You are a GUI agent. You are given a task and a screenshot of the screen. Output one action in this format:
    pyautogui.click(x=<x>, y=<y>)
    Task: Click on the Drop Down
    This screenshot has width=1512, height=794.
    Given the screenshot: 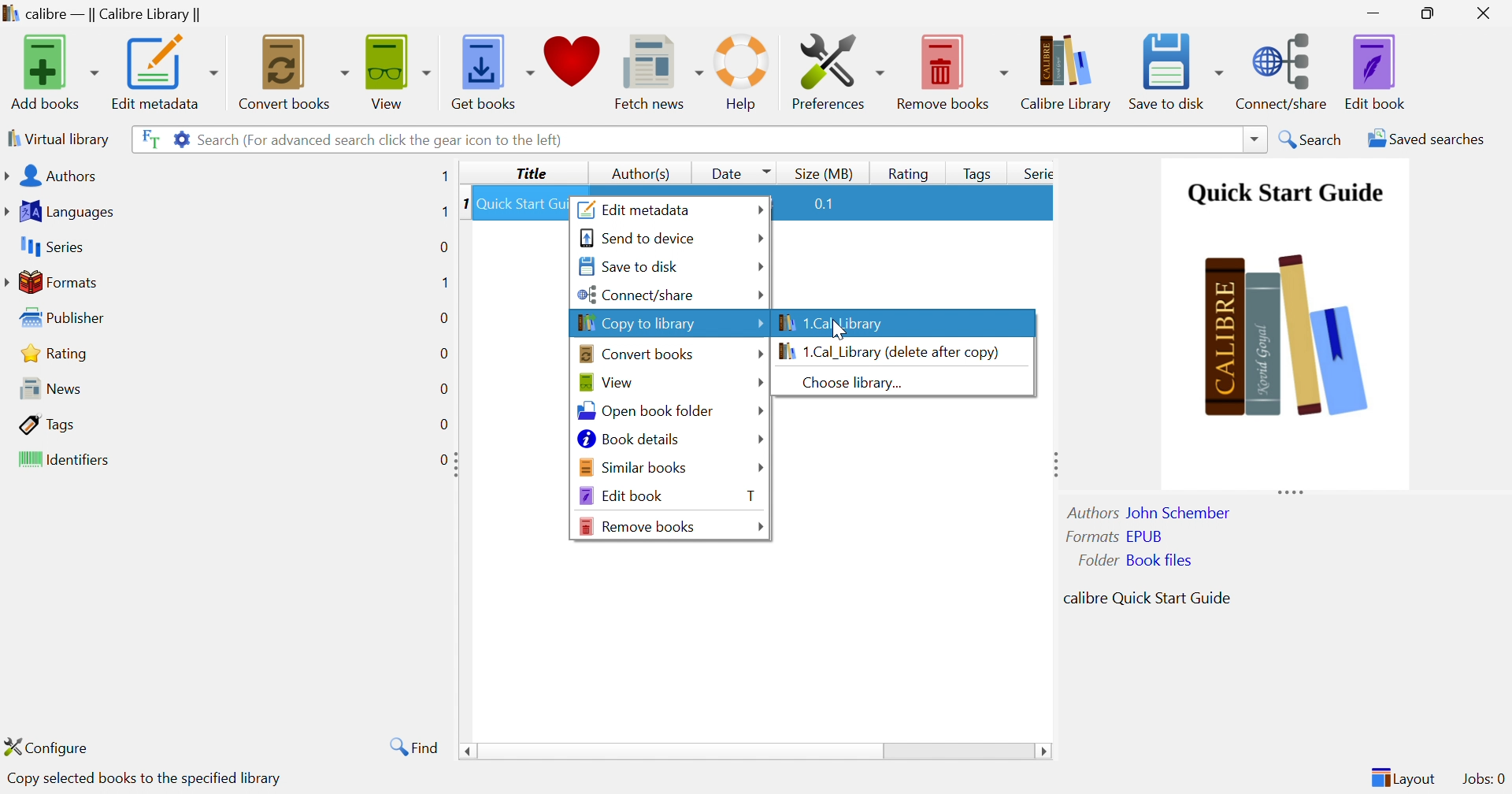 What is the action you would take?
    pyautogui.click(x=760, y=266)
    